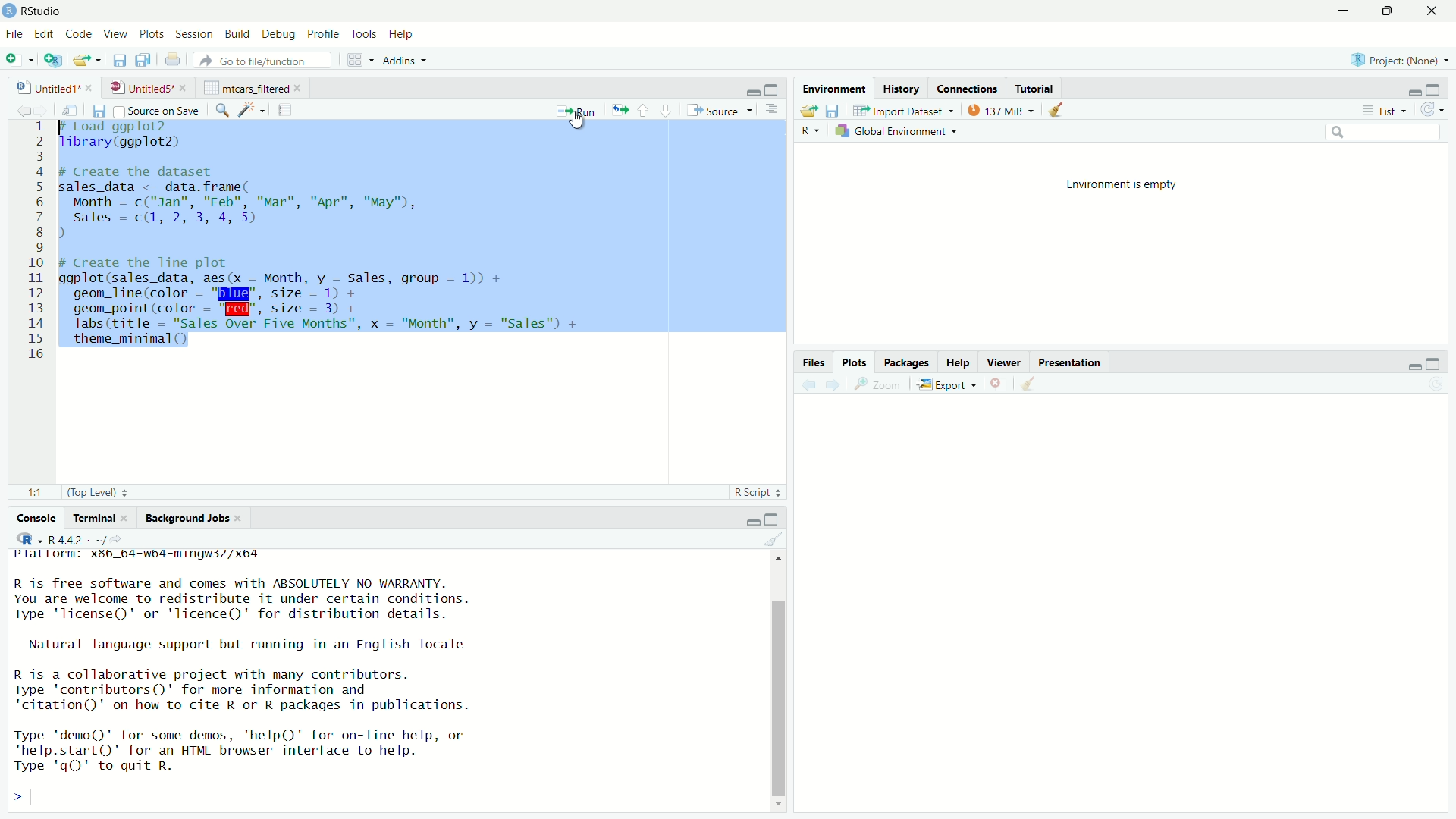 The width and height of the screenshot is (1456, 819). Describe the element at coordinates (752, 91) in the screenshot. I see `minimize` at that location.